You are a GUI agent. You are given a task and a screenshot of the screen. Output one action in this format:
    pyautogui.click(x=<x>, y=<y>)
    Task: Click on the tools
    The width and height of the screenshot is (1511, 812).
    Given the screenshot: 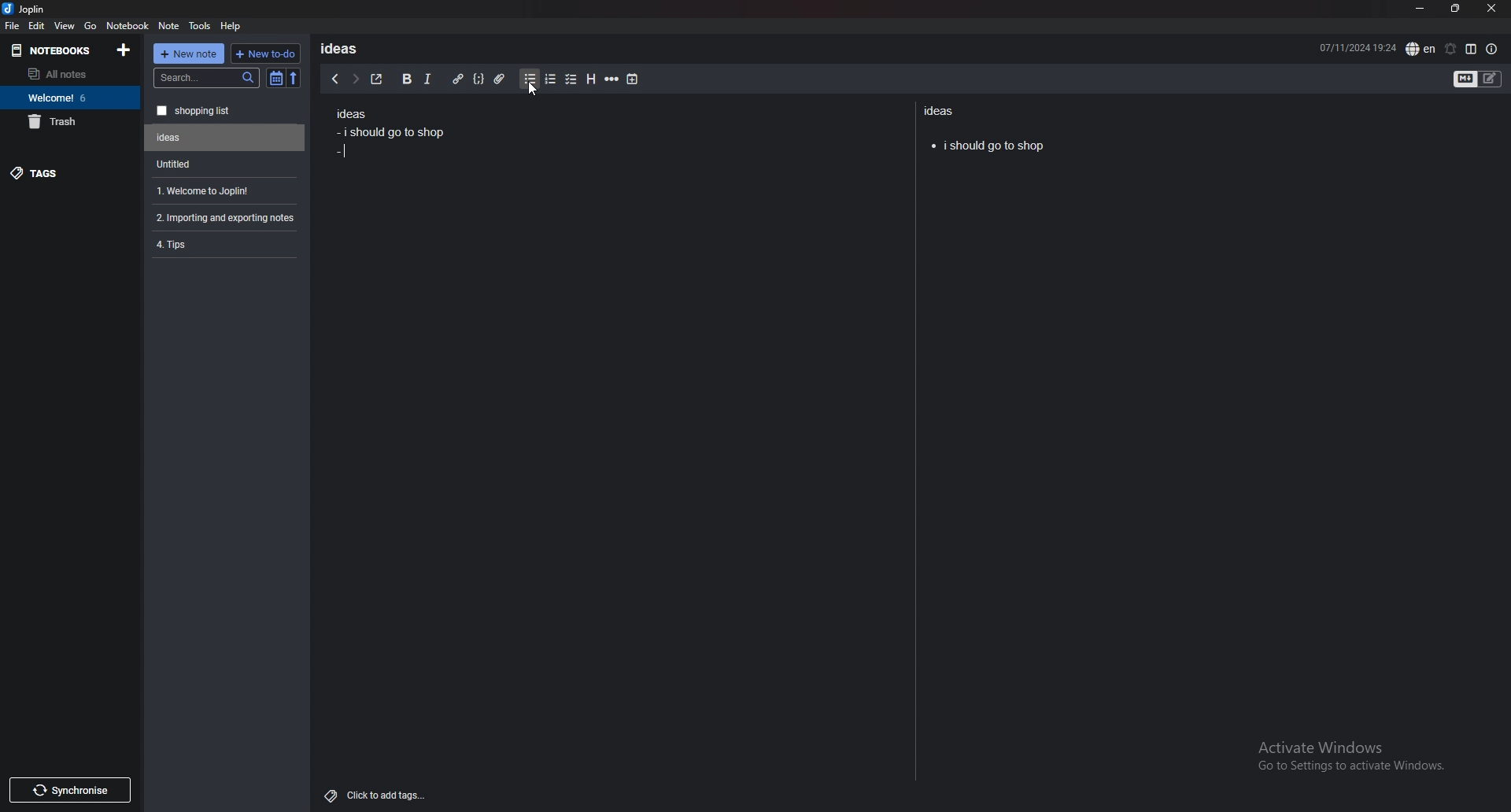 What is the action you would take?
    pyautogui.click(x=201, y=26)
    